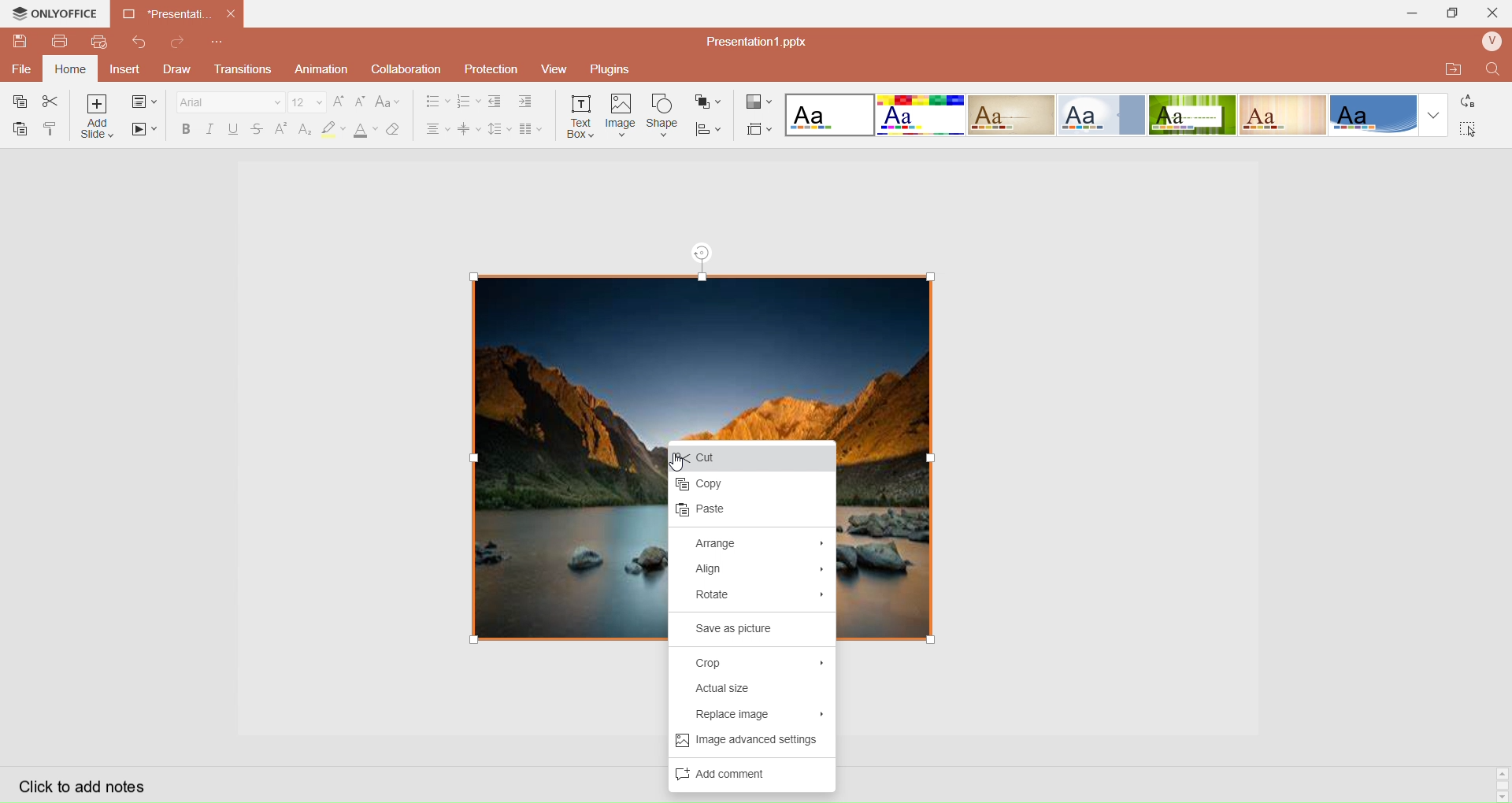 The width and height of the screenshot is (1512, 803). What do you see at coordinates (98, 119) in the screenshot?
I see `Add Slice` at bounding box center [98, 119].